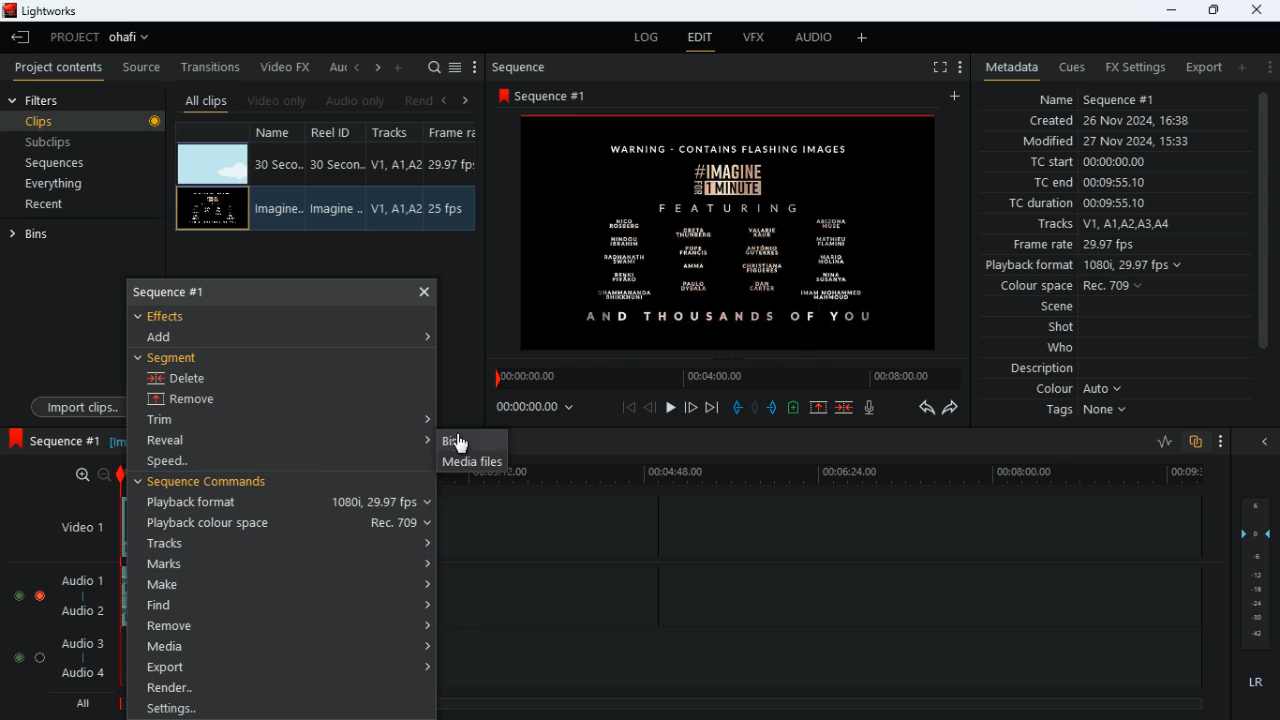 This screenshot has height=720, width=1280. What do you see at coordinates (41, 596) in the screenshot?
I see `toggle` at bounding box center [41, 596].